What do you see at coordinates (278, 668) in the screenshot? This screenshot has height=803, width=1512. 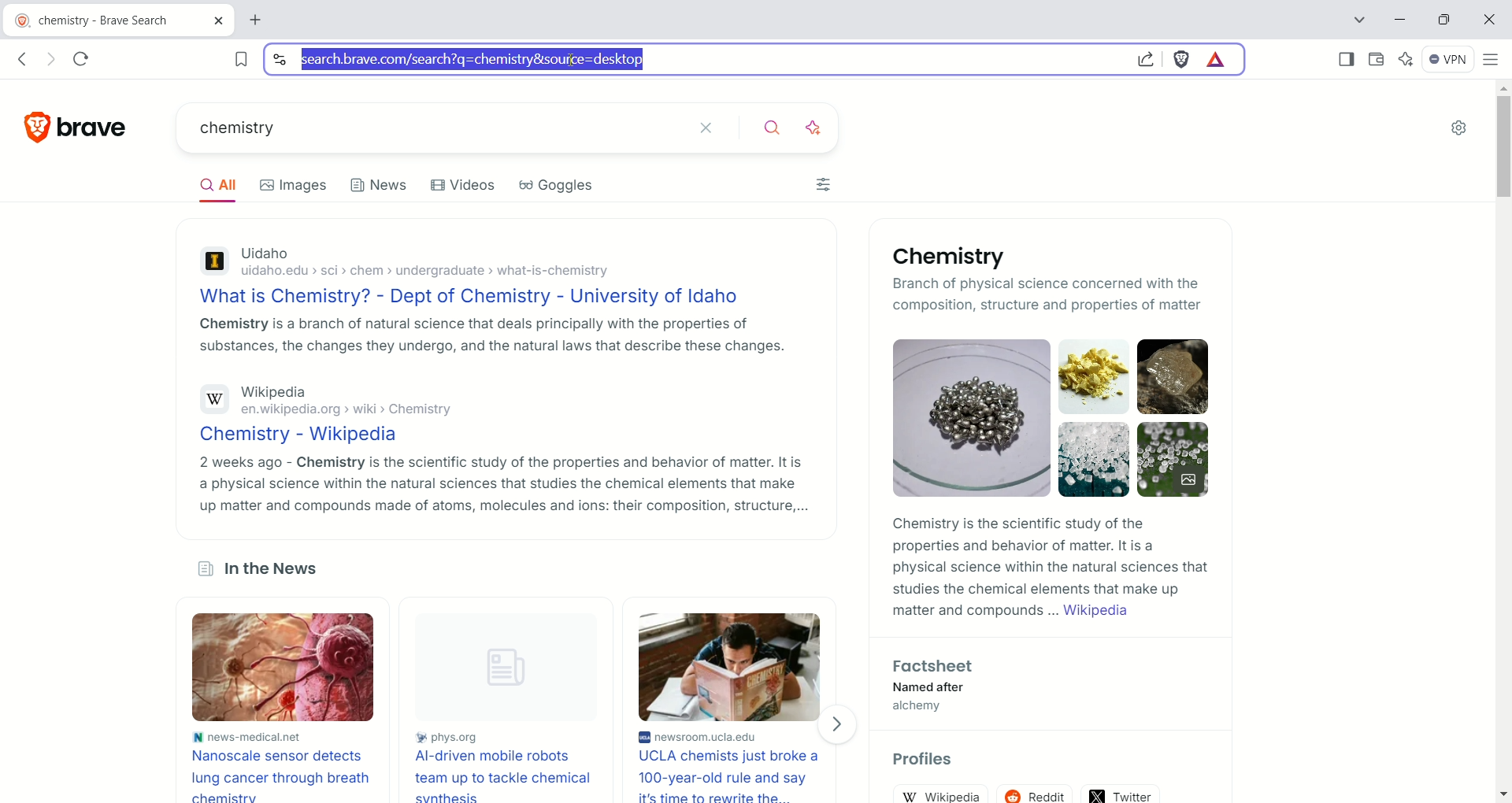 I see `Image relating to lung cancer` at bounding box center [278, 668].